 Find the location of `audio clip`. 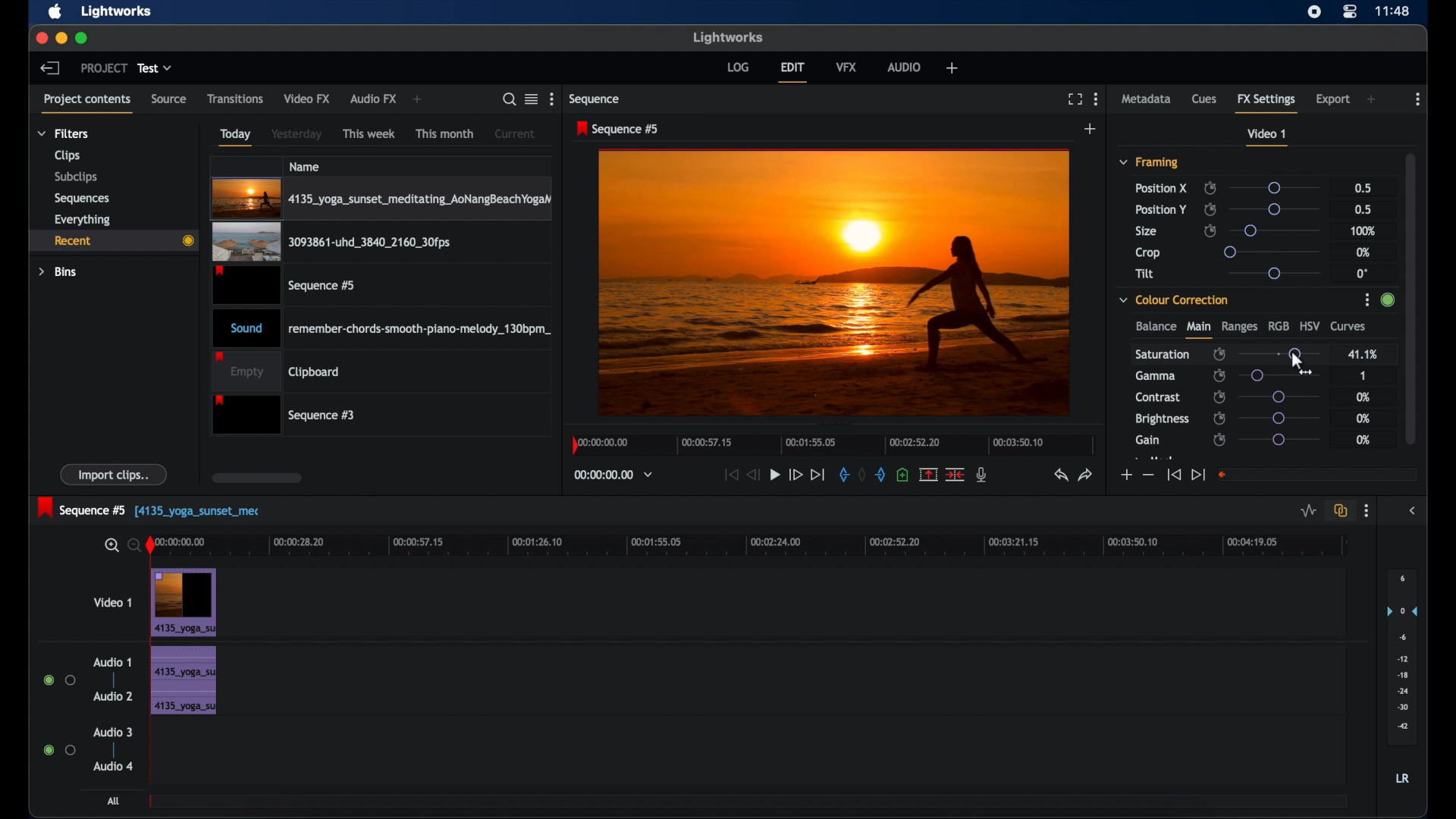

audio clip is located at coordinates (382, 327).